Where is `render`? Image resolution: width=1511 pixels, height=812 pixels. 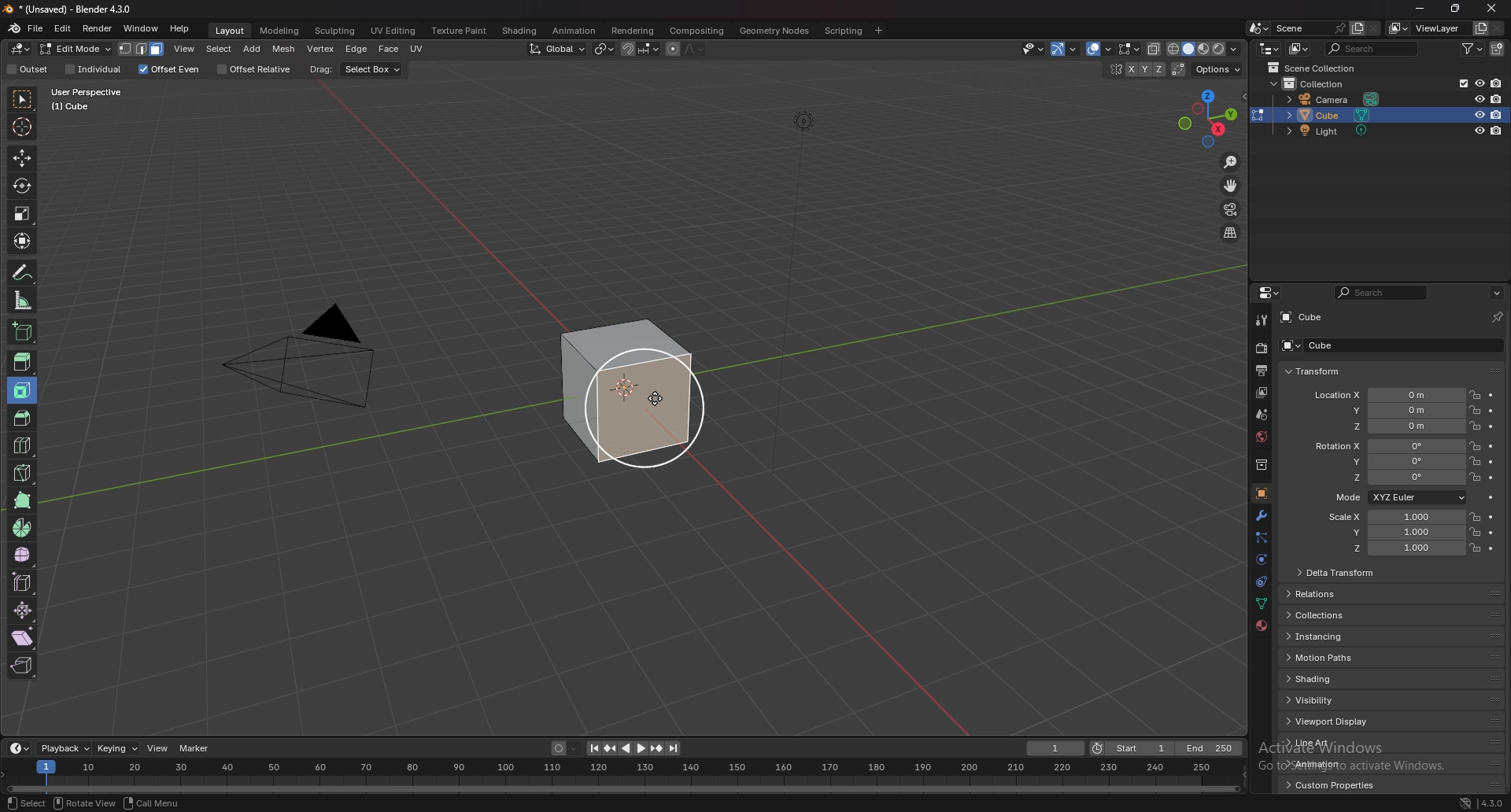
render is located at coordinates (1261, 349).